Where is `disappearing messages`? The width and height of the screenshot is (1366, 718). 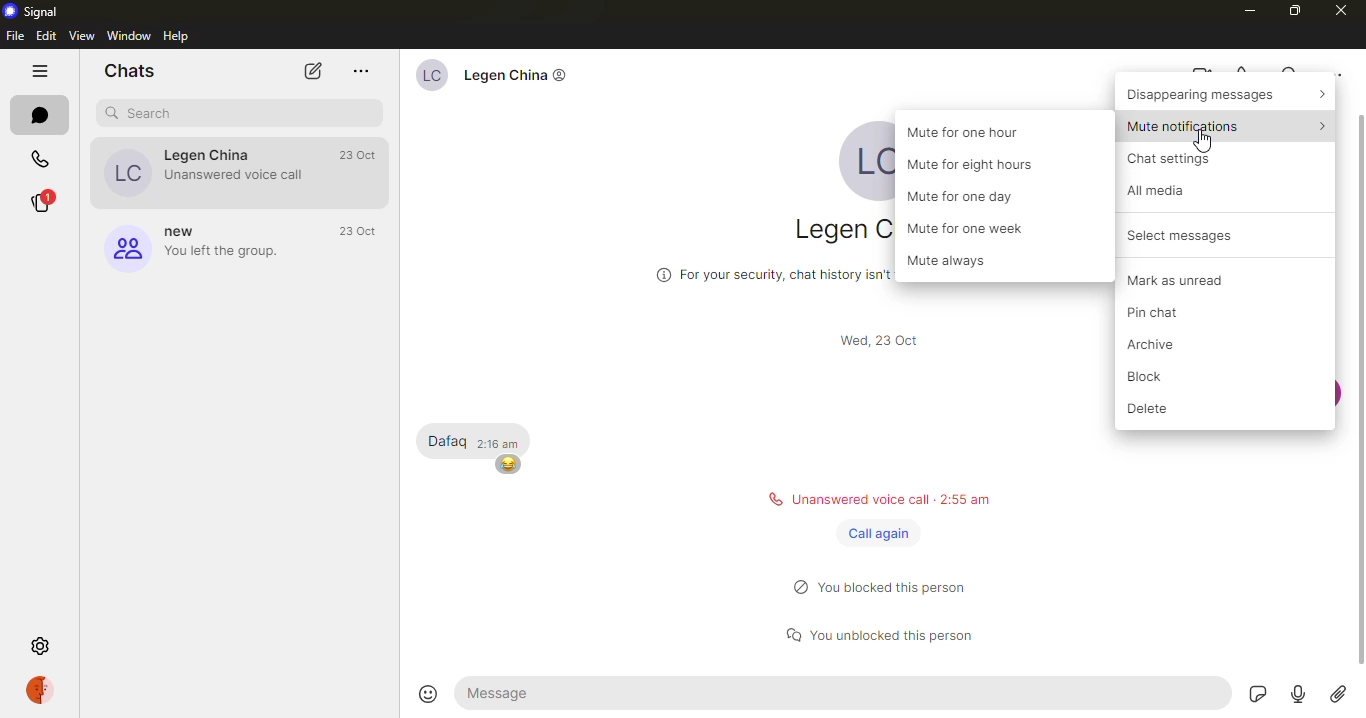
disappearing messages is located at coordinates (1227, 92).